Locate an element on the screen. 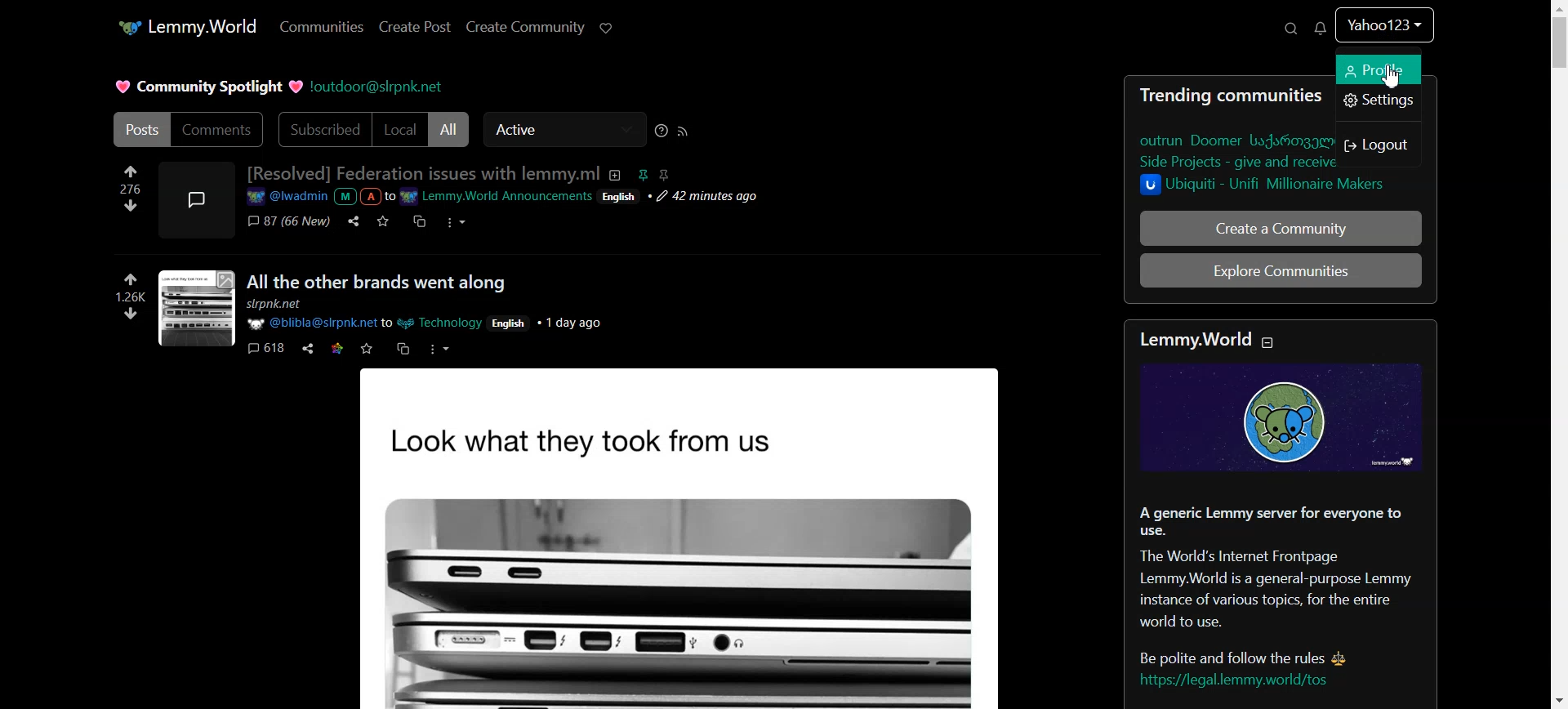 This screenshot has width=1568, height=709. Settings is located at coordinates (1379, 100).